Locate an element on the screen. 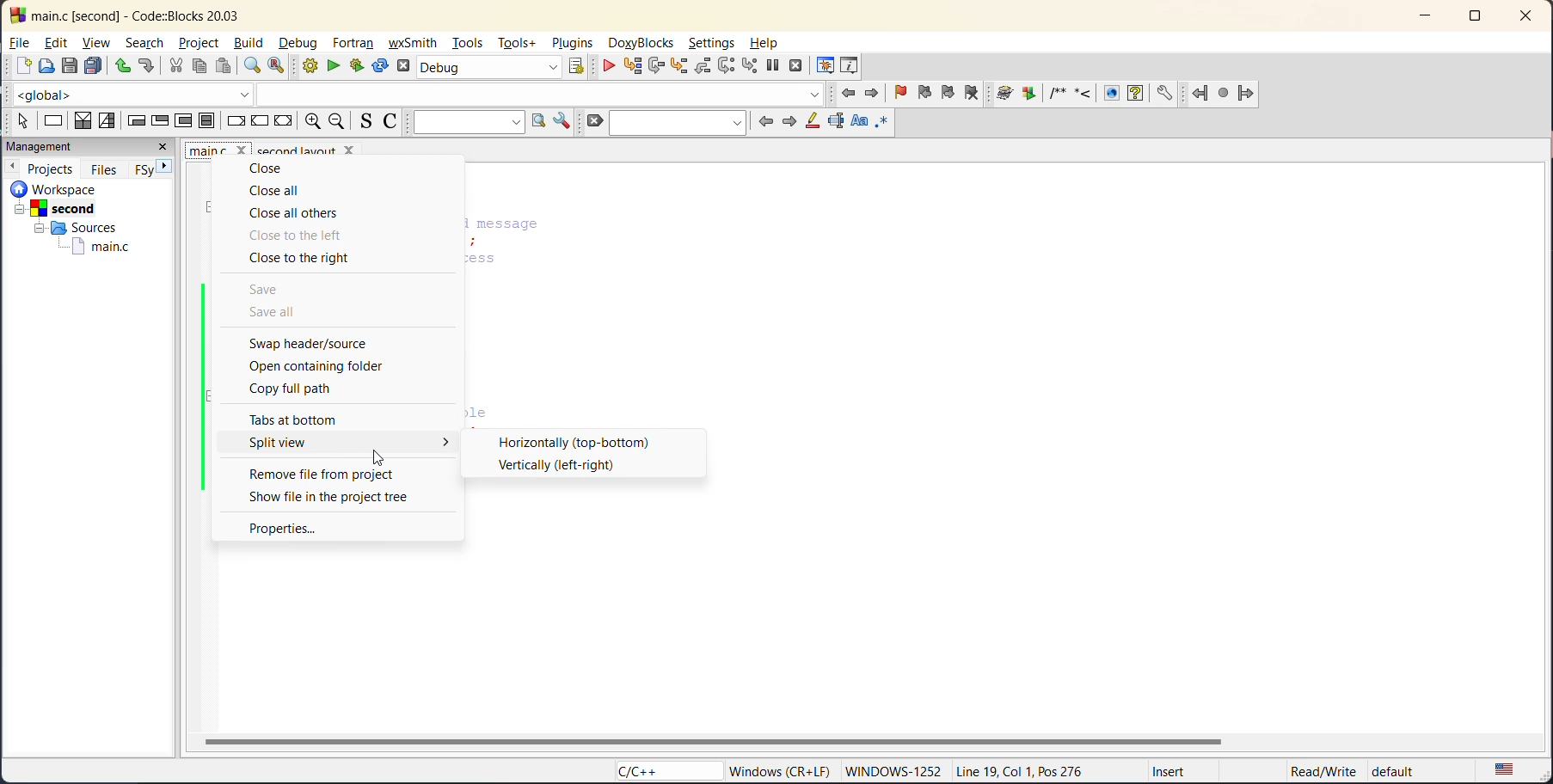 This screenshot has height=784, width=1553. instruction is located at coordinates (53, 122).